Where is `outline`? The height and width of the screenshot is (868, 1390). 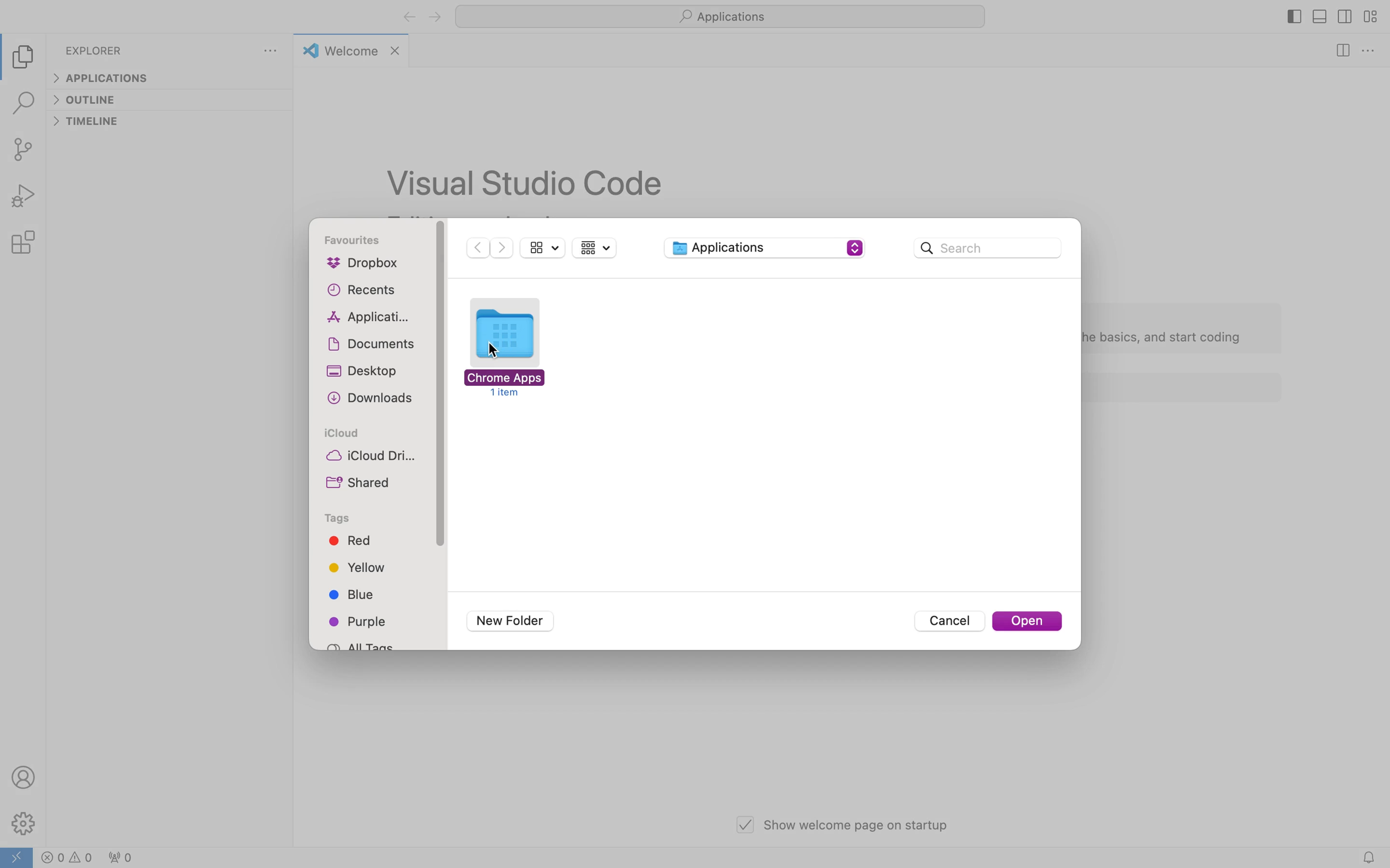
outline is located at coordinates (91, 100).